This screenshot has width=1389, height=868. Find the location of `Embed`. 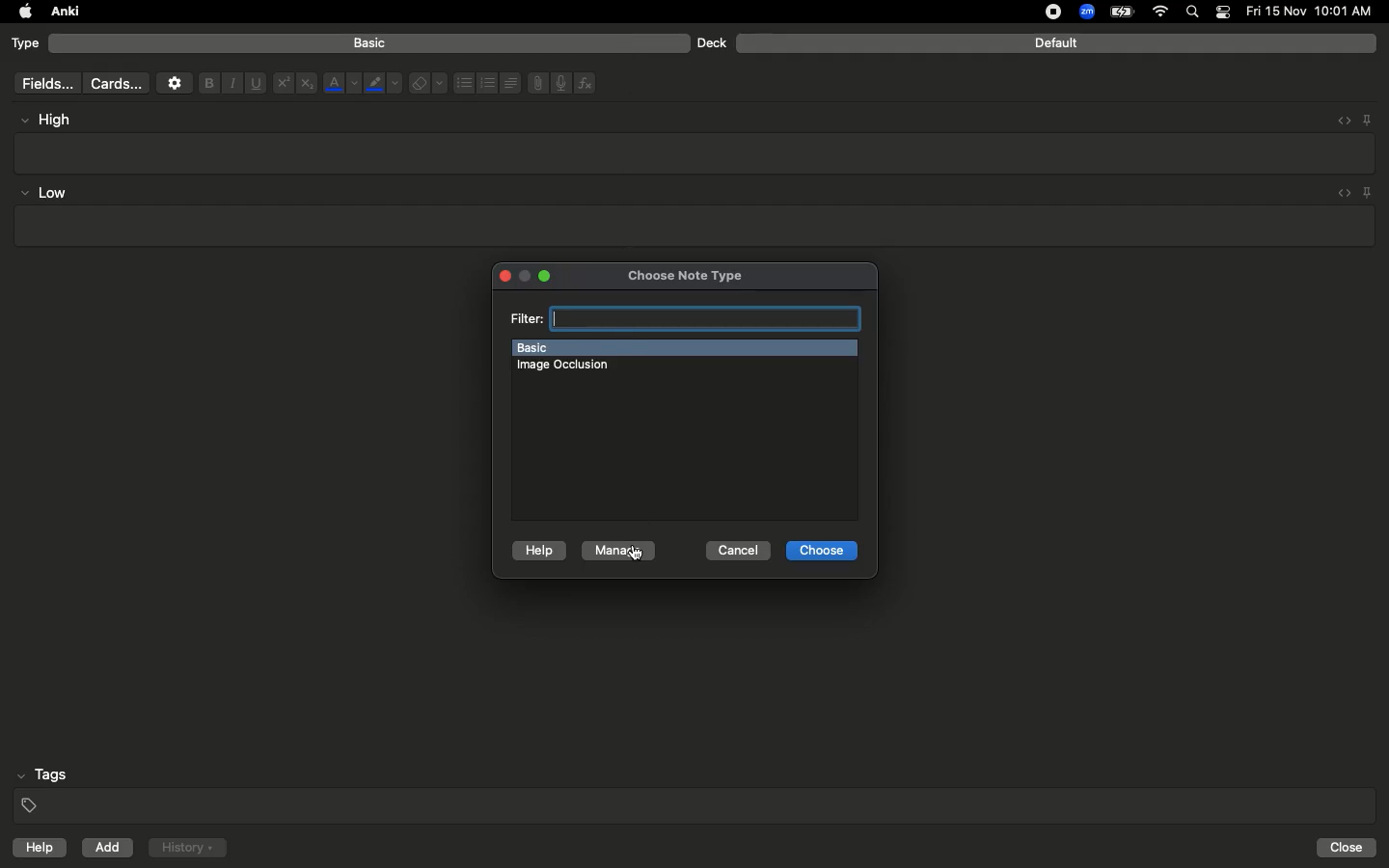

Embed is located at coordinates (1338, 121).